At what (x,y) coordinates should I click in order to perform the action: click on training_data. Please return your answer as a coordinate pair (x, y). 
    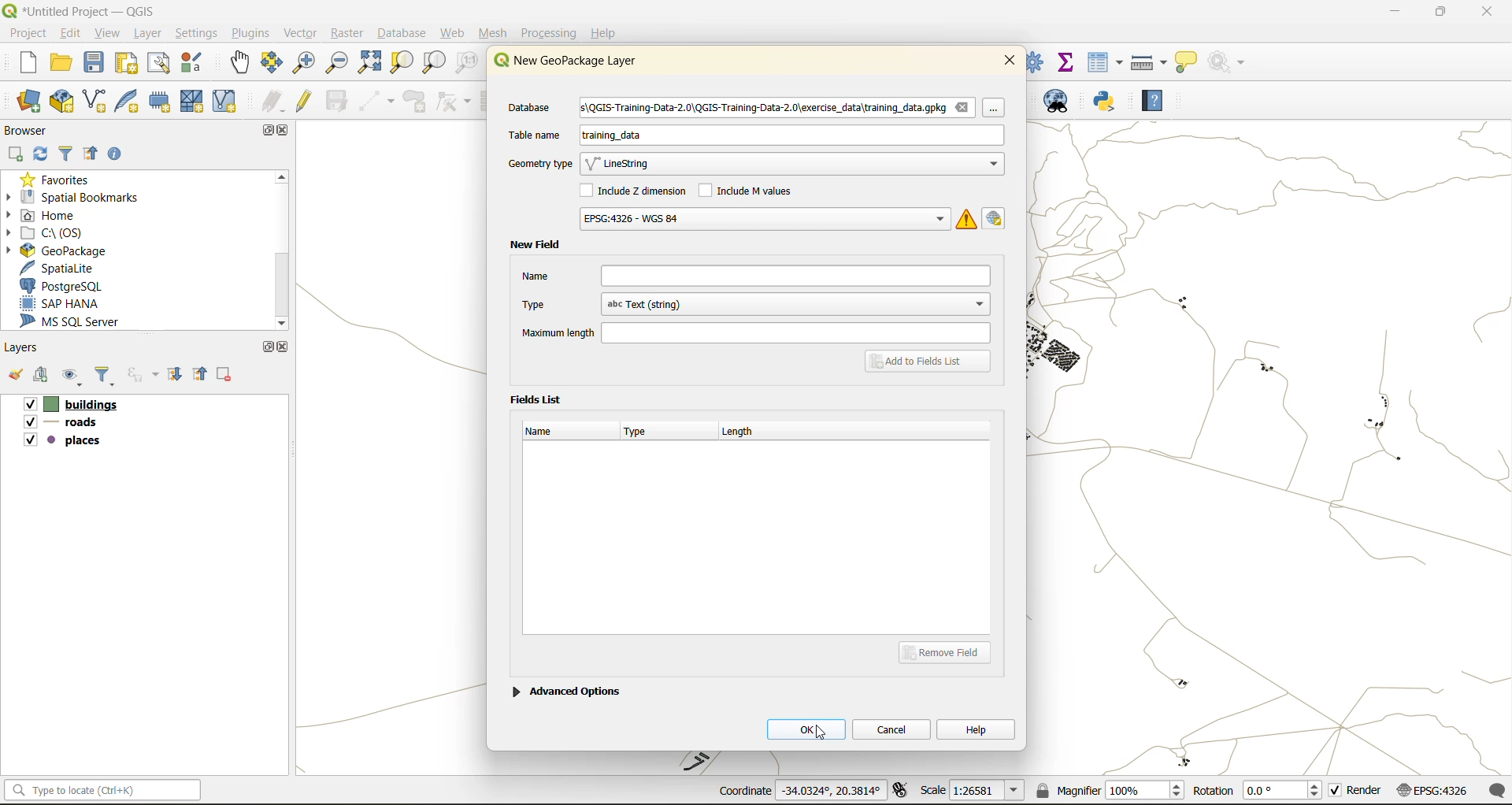
    Looking at the image, I should click on (612, 138).